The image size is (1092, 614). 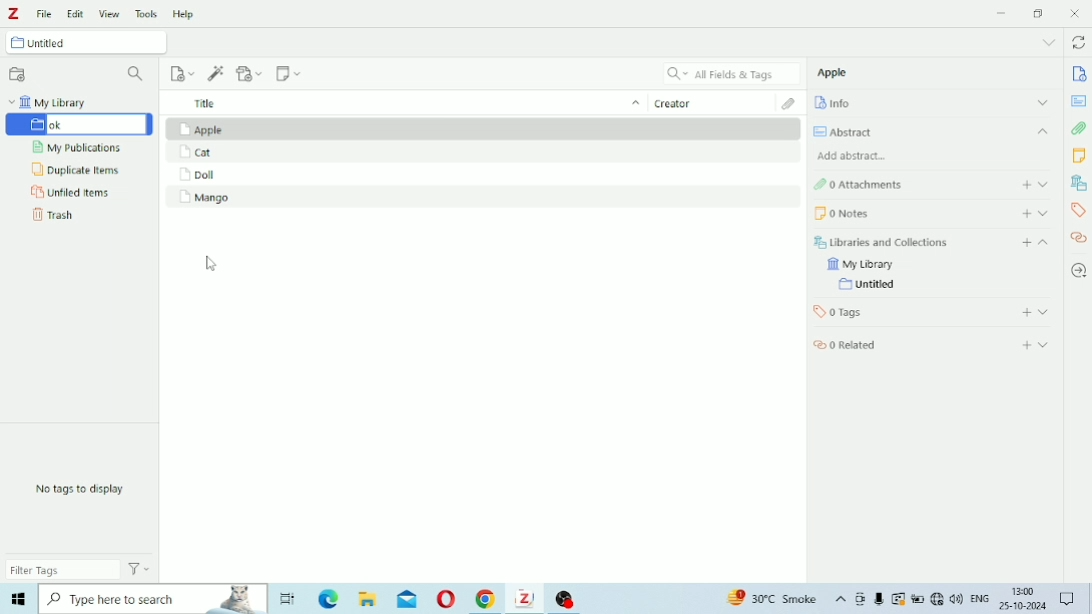 What do you see at coordinates (730, 73) in the screenshot?
I see `All Fields & Tags` at bounding box center [730, 73].